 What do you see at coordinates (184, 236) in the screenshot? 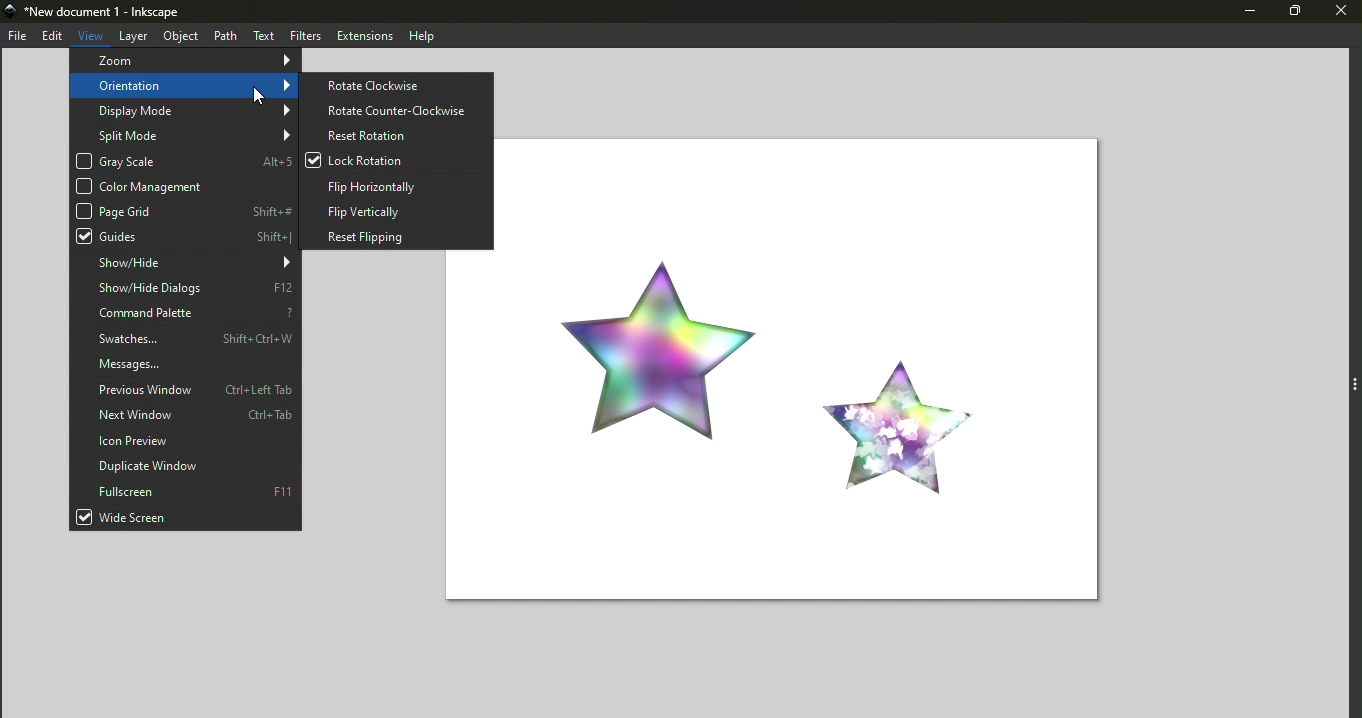
I see `Guides` at bounding box center [184, 236].